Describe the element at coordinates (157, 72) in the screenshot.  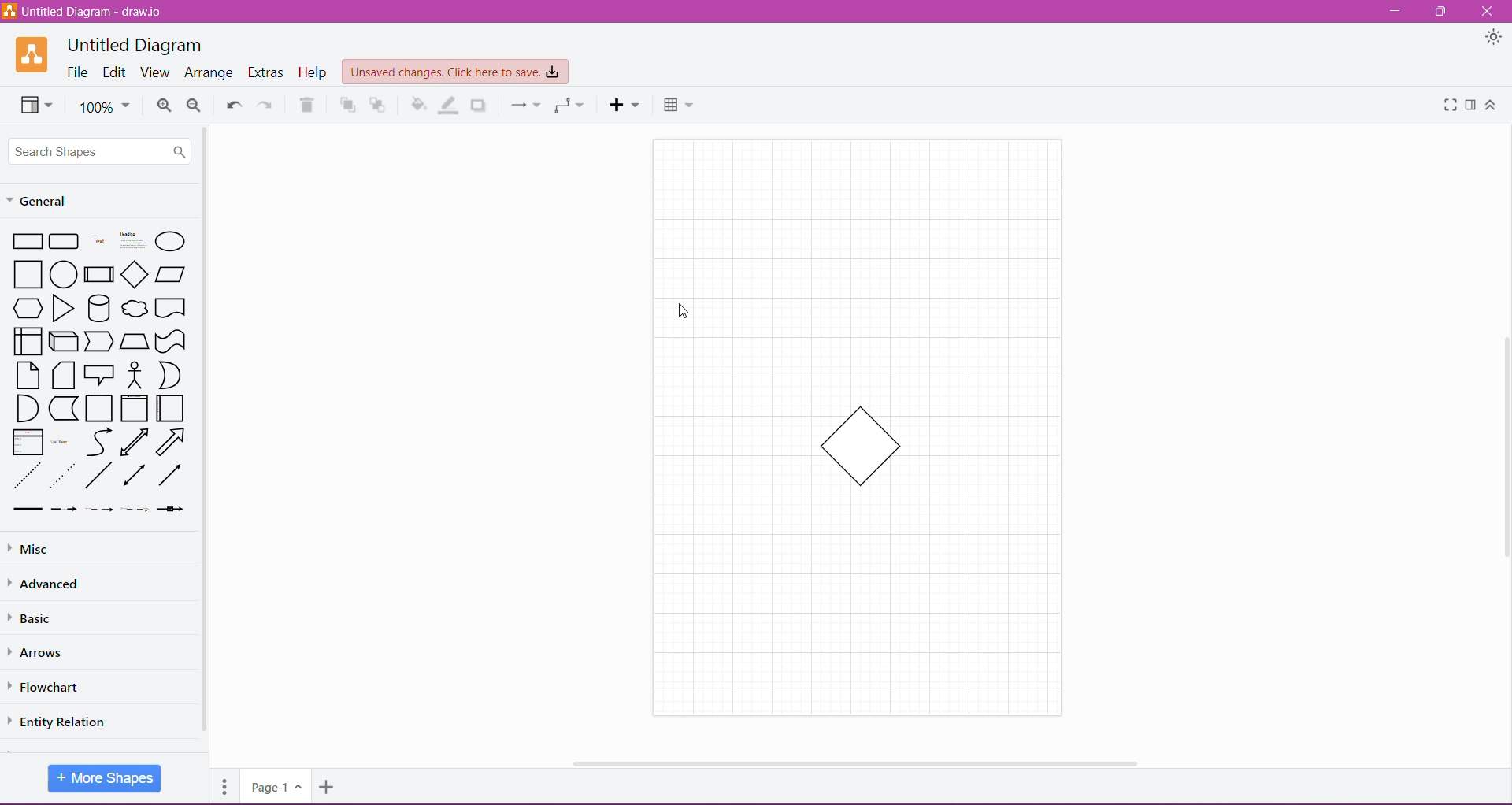
I see `View` at that location.